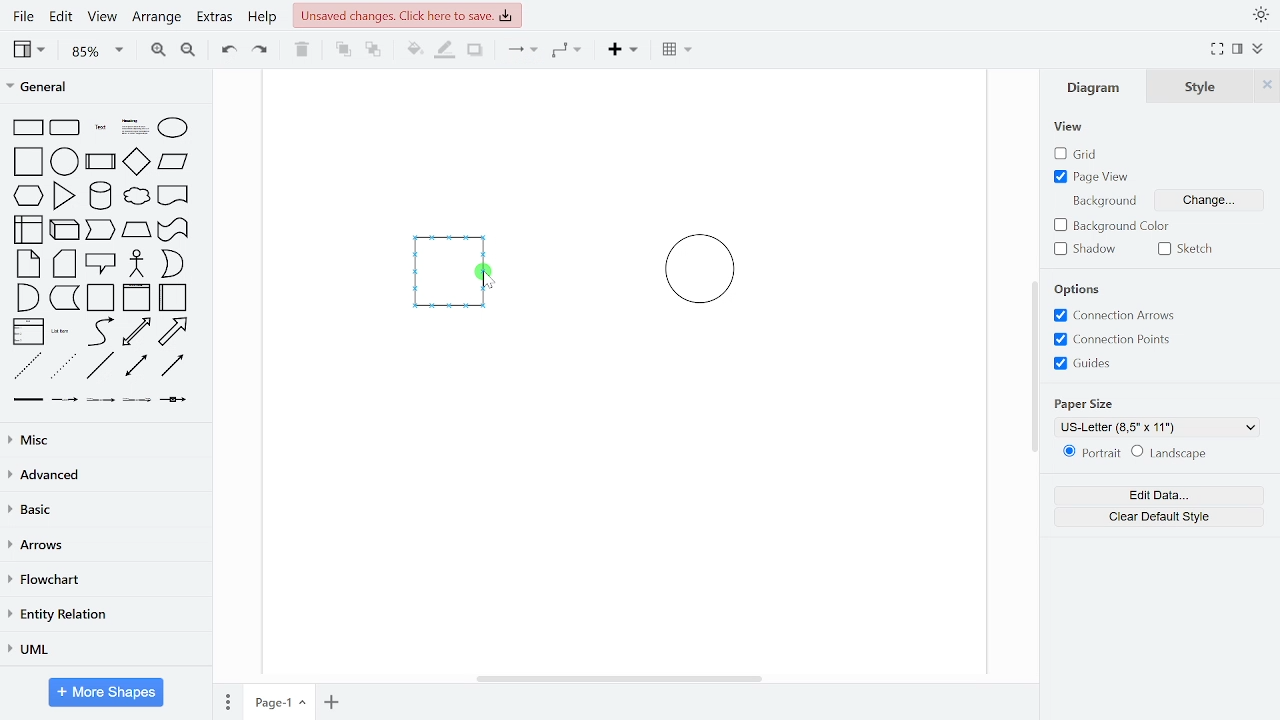 The image size is (1280, 720). I want to click on to front, so click(343, 50).